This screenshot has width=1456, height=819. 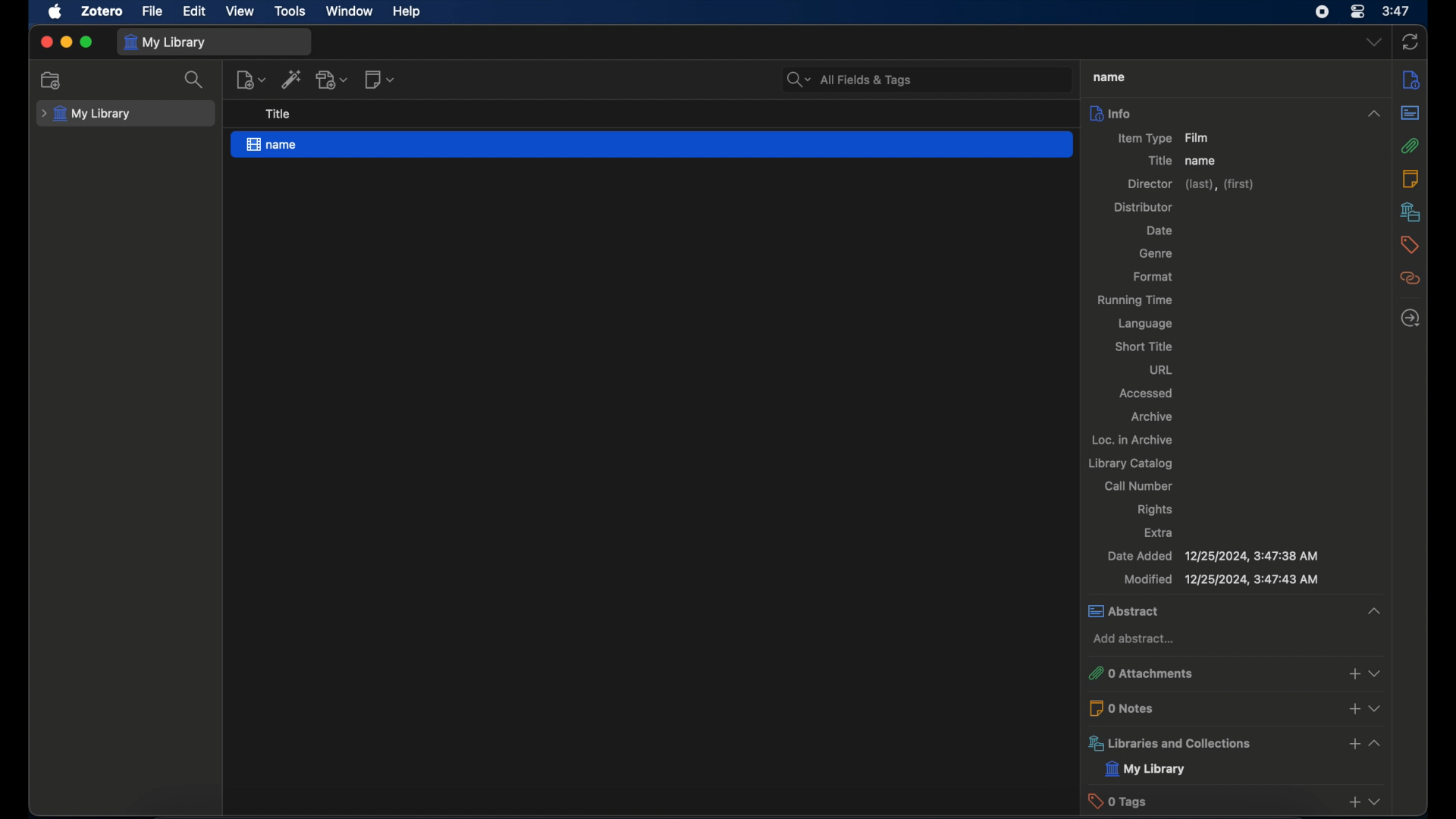 What do you see at coordinates (1323, 12) in the screenshot?
I see `screen recorder` at bounding box center [1323, 12].